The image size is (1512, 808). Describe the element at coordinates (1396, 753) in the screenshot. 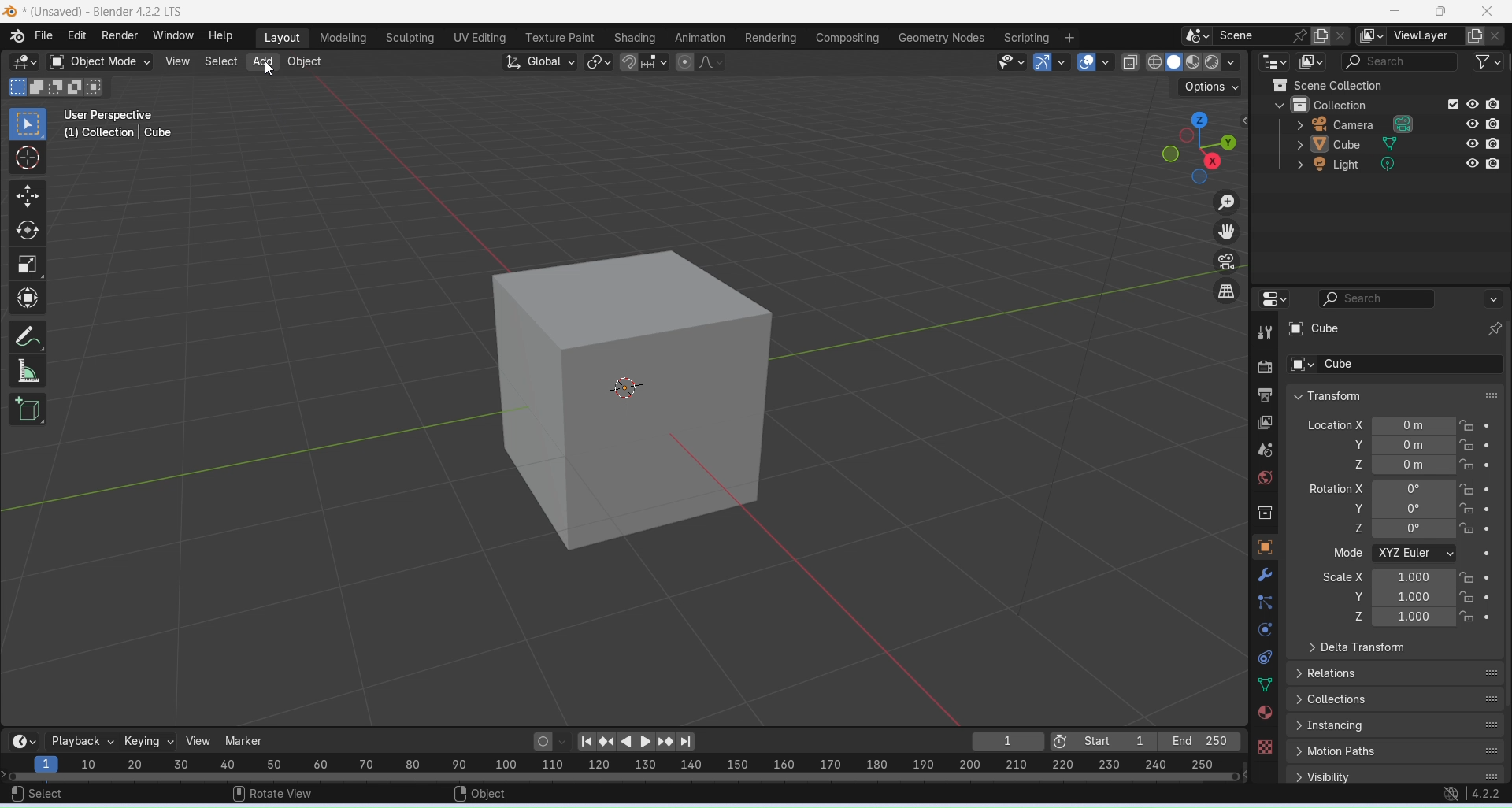

I see `Motion paths` at that location.